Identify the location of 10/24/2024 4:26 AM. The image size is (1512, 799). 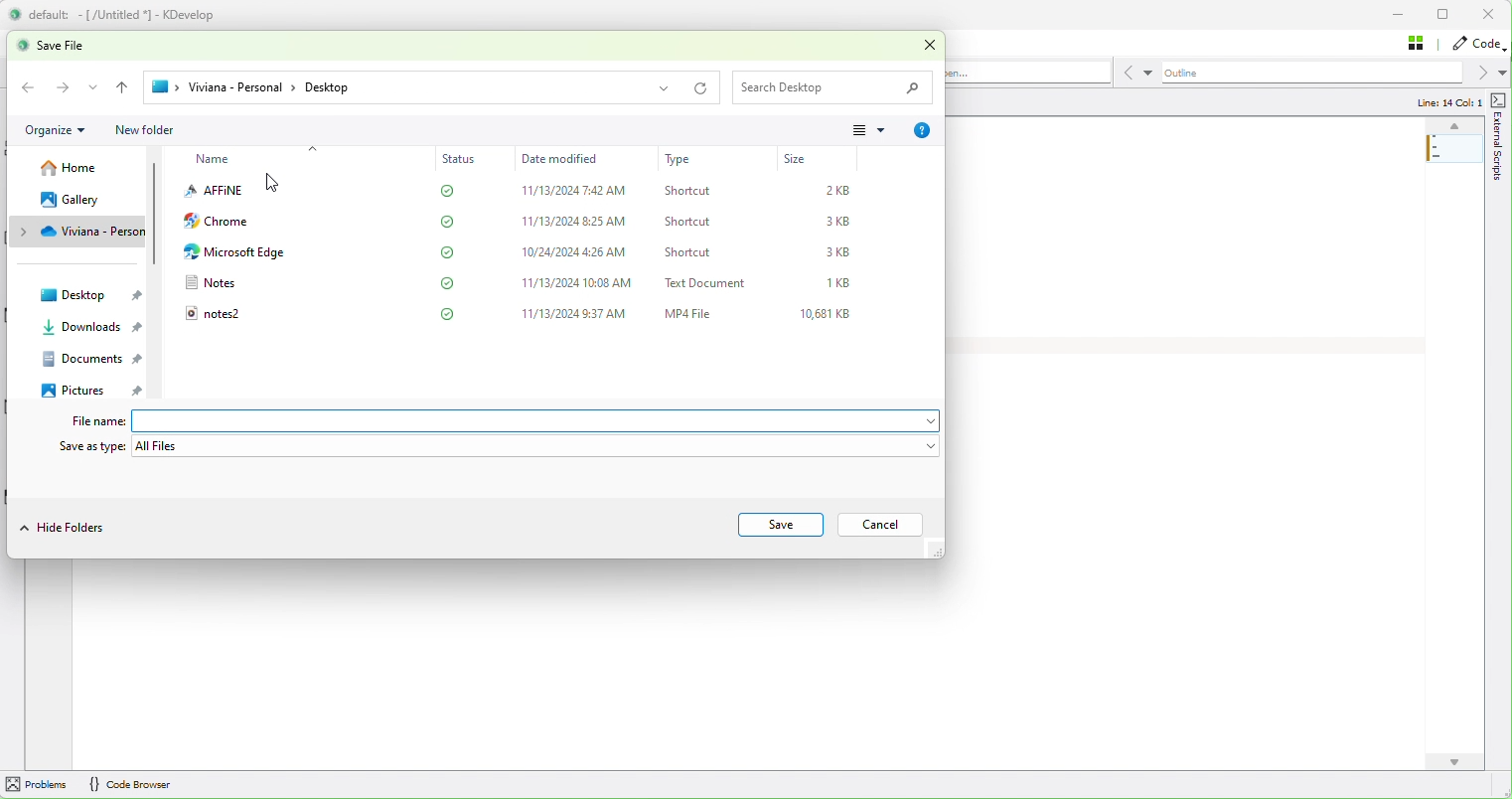
(576, 252).